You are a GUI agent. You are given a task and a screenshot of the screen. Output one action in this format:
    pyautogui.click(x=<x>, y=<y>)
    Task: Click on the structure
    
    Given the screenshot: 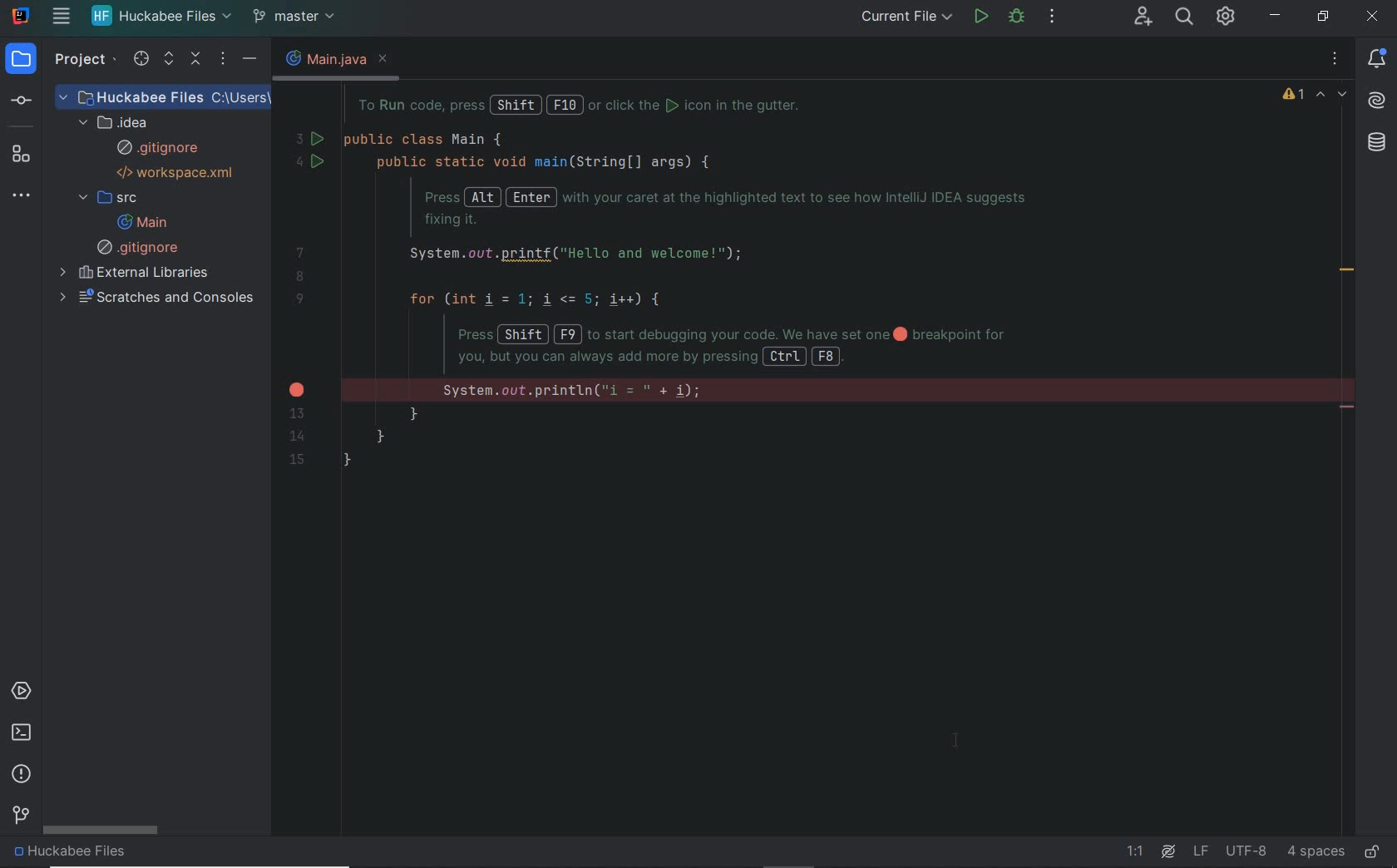 What is the action you would take?
    pyautogui.click(x=27, y=154)
    